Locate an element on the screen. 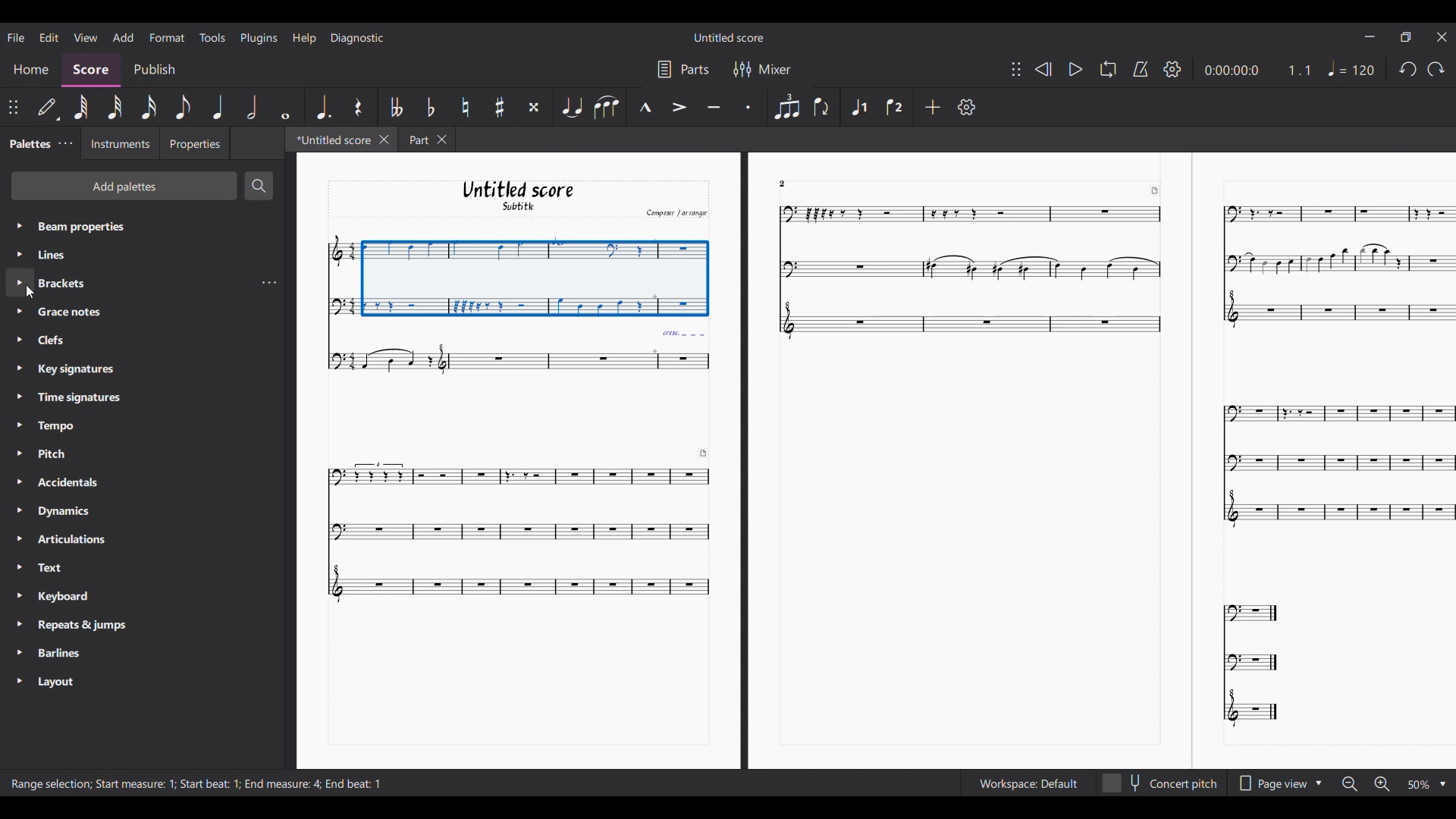  Dynamics is located at coordinates (71, 510).